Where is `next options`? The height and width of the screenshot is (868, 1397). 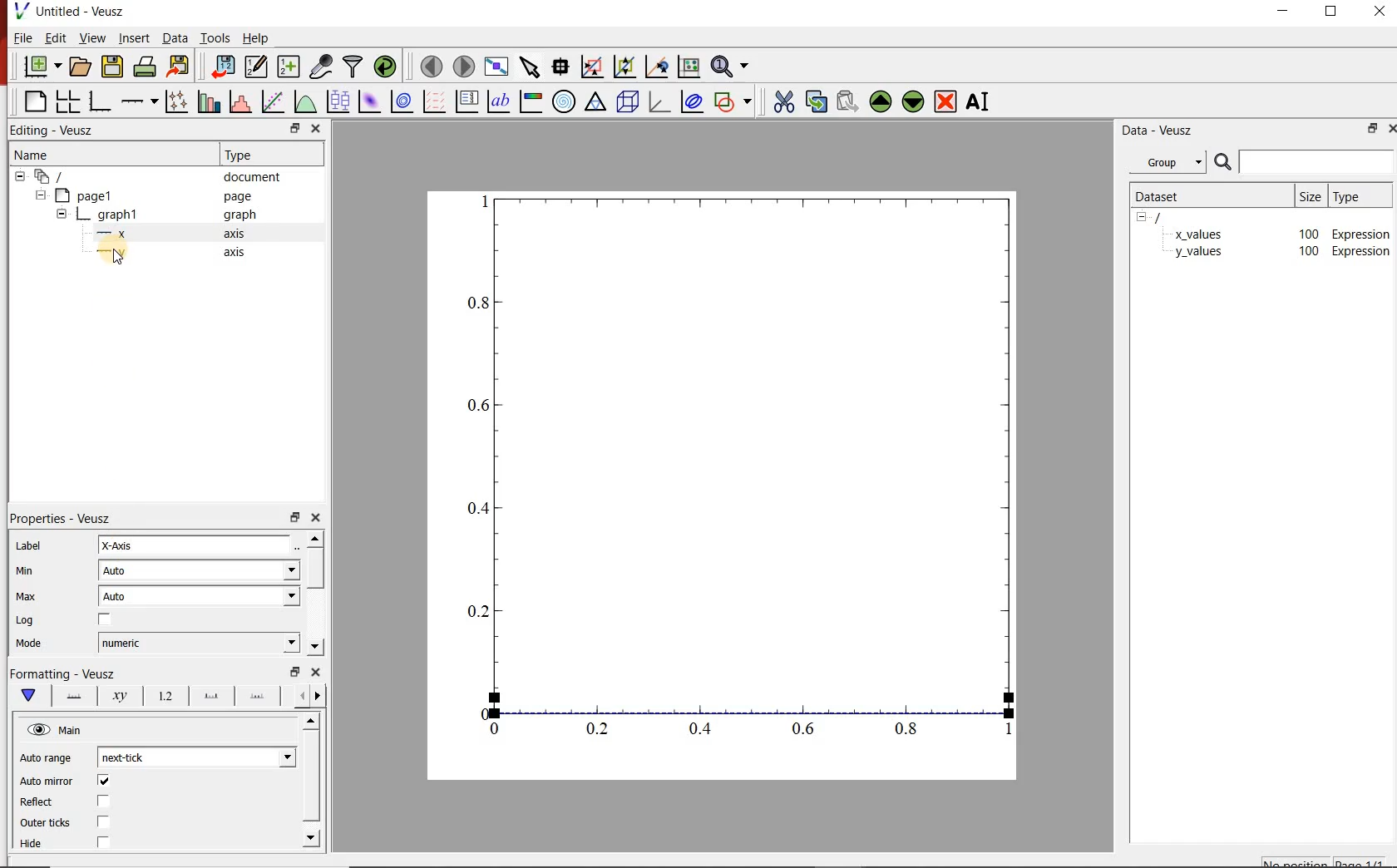 next options is located at coordinates (300, 696).